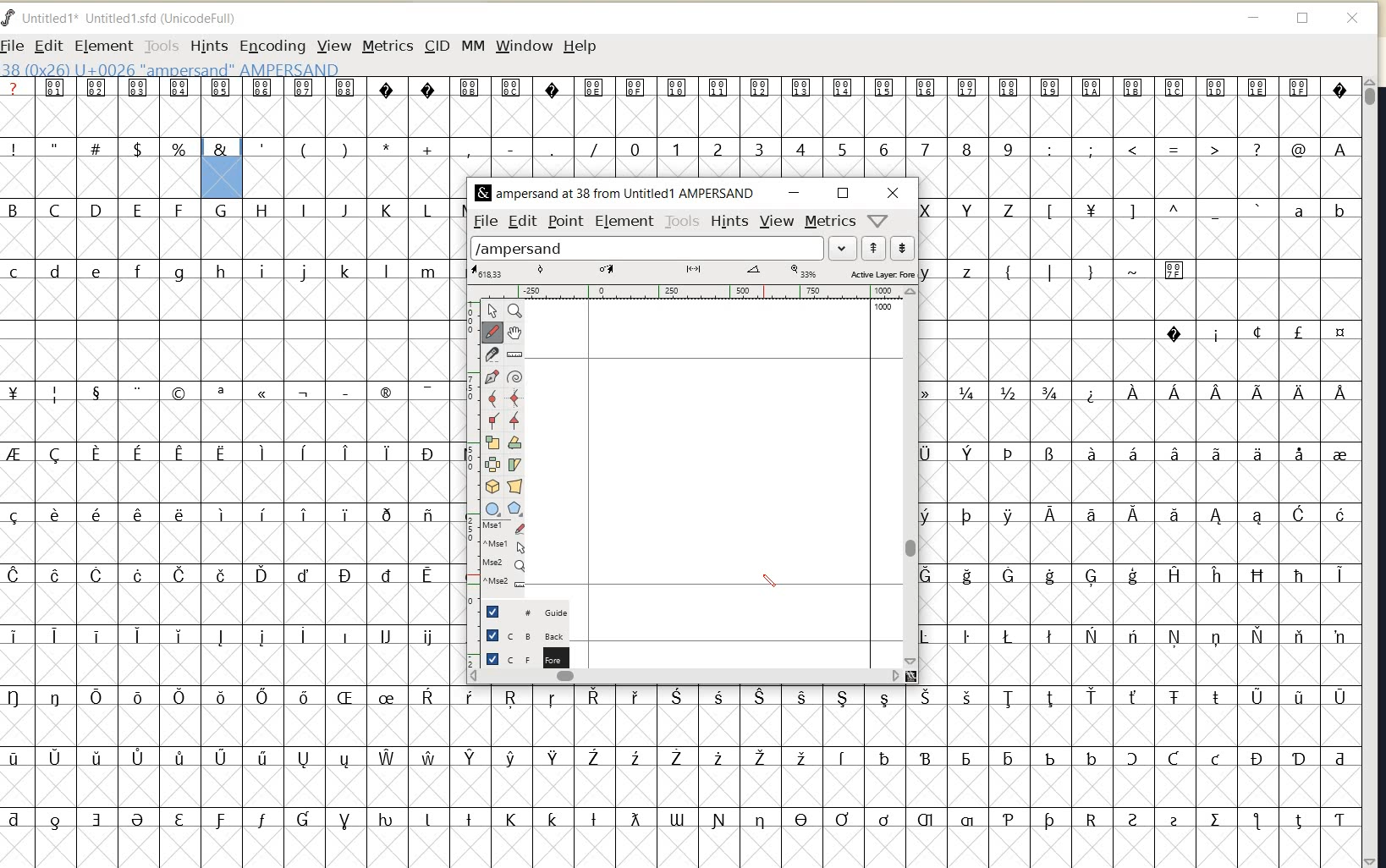  What do you see at coordinates (491, 376) in the screenshot?
I see `add a point, then drag out its control points` at bounding box center [491, 376].